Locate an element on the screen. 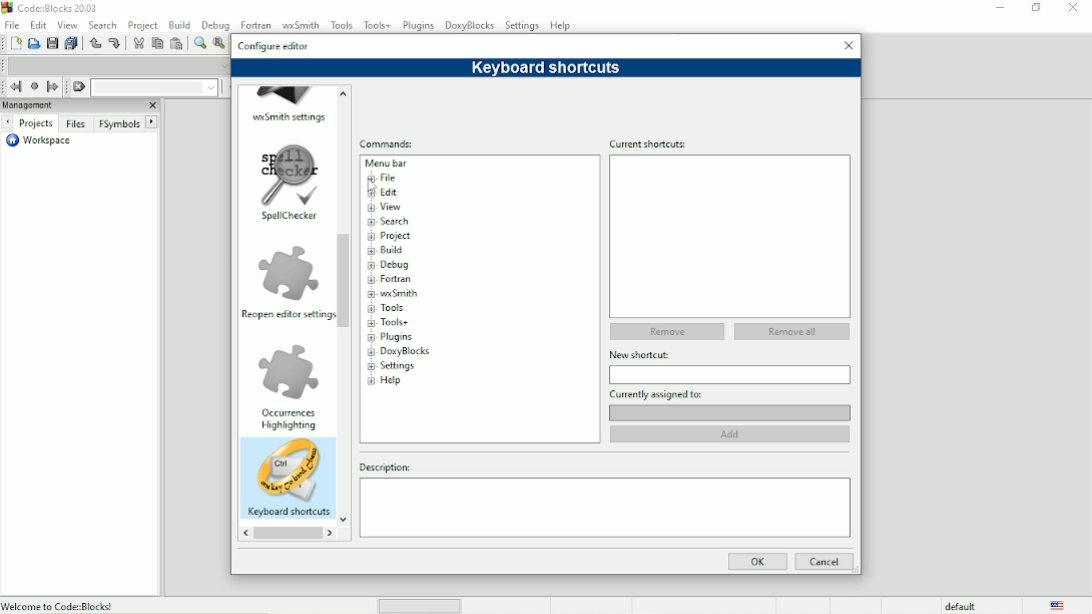 This screenshot has height=614, width=1092. Help is located at coordinates (562, 25).